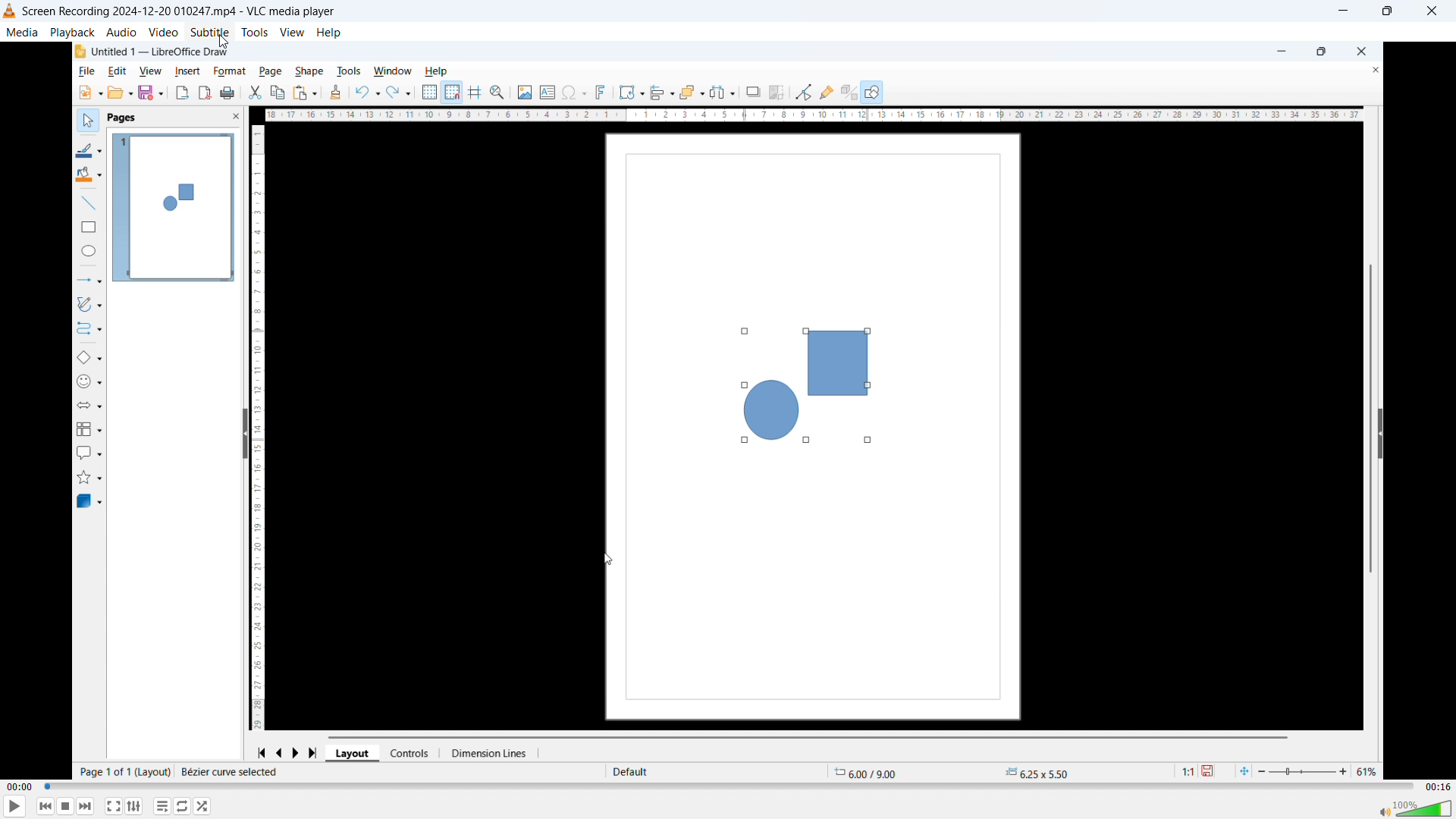  Describe the element at coordinates (453, 93) in the screenshot. I see `snap to grid` at that location.